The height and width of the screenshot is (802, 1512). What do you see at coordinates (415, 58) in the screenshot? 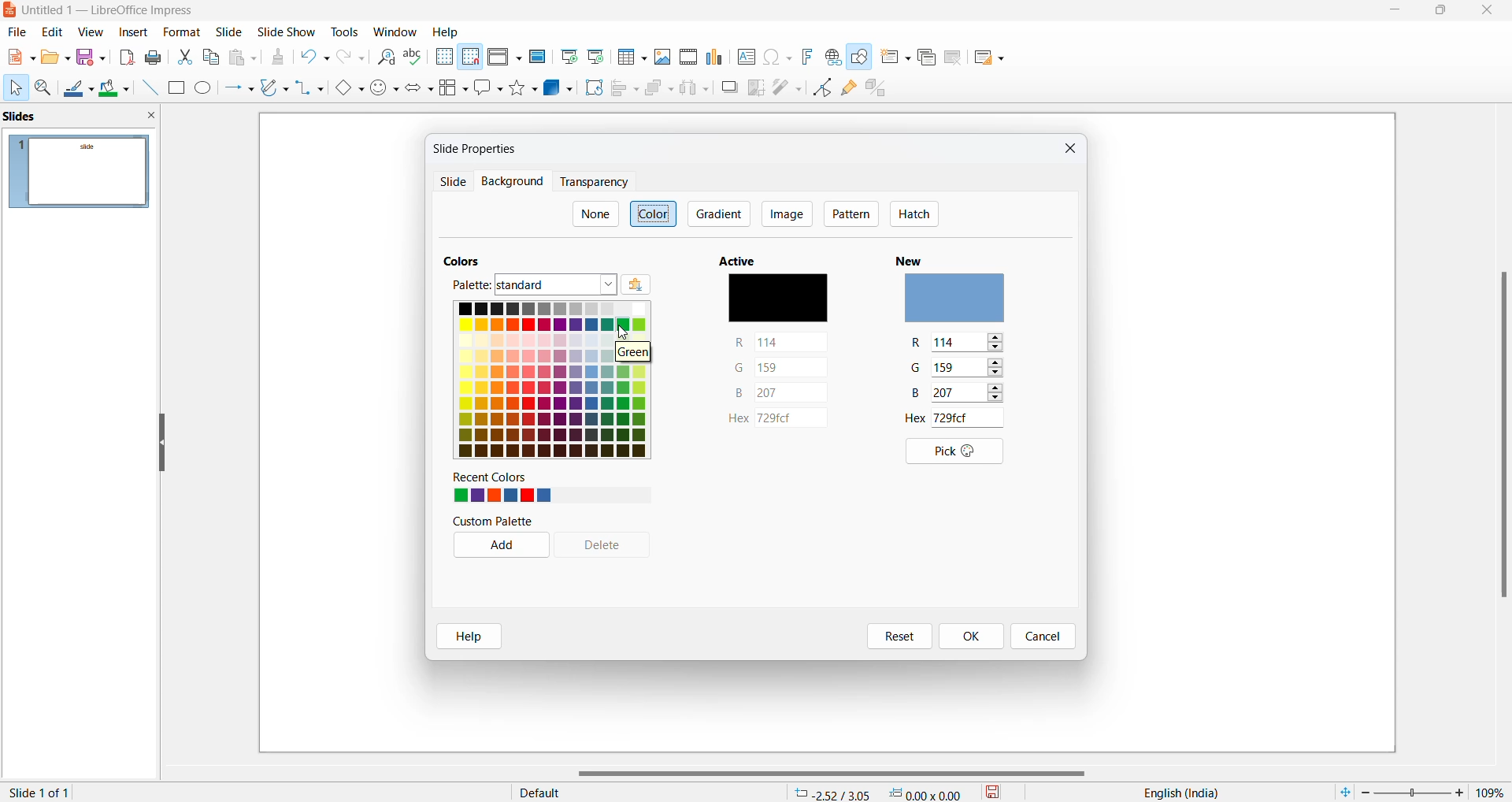
I see `spellings` at bounding box center [415, 58].